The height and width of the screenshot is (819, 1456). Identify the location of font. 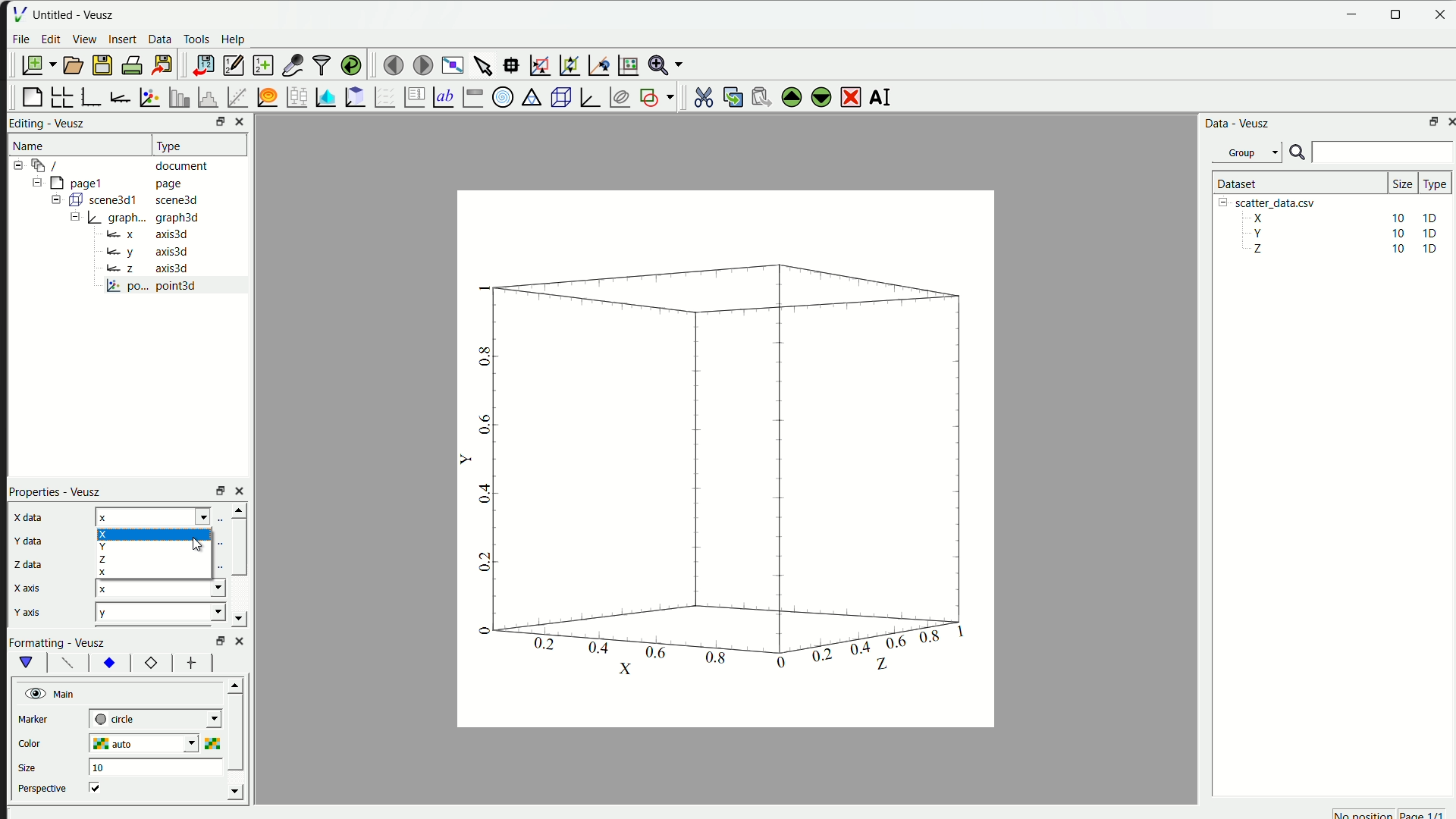
(65, 663).